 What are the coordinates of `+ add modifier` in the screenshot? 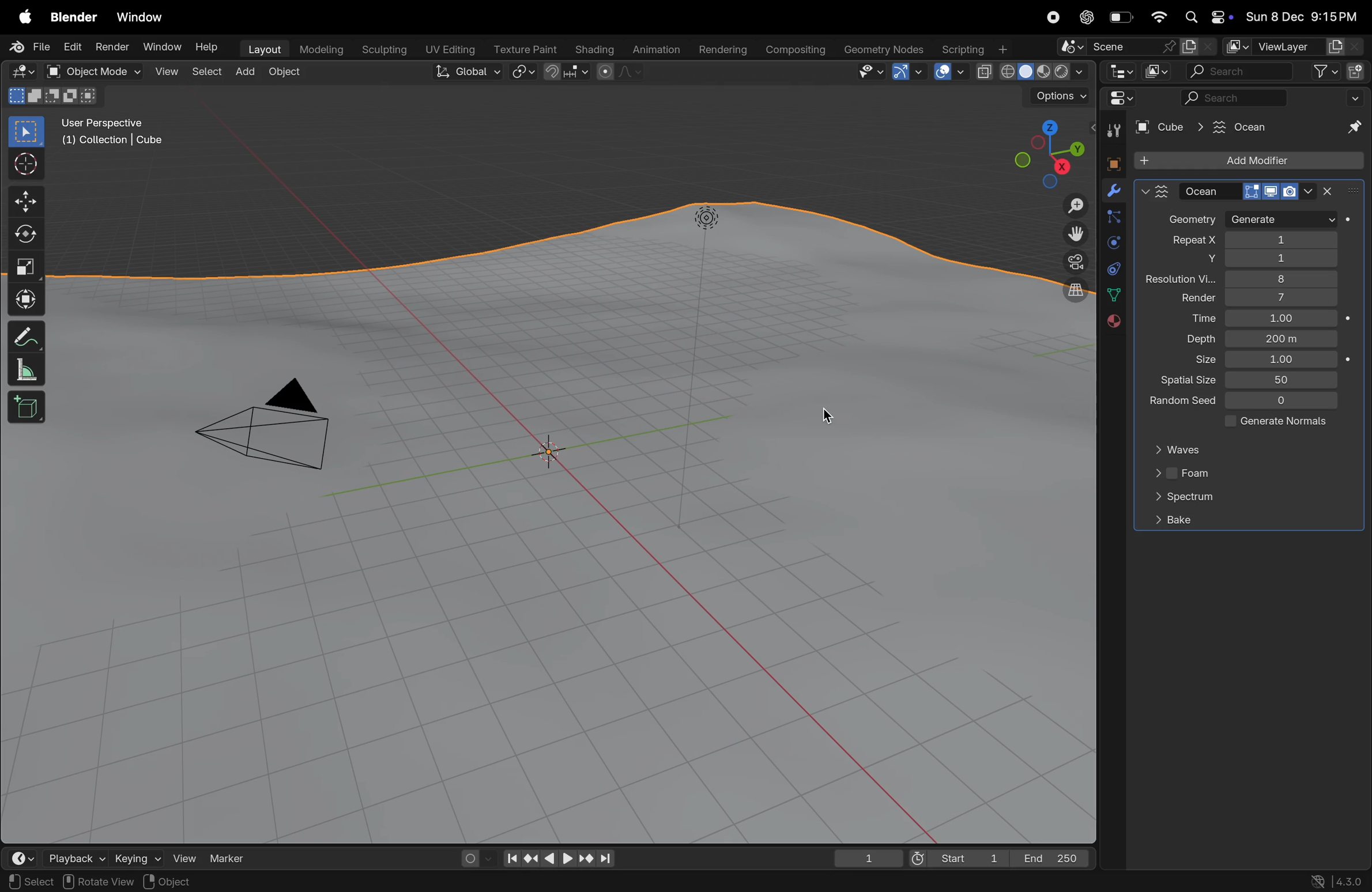 It's located at (1248, 162).